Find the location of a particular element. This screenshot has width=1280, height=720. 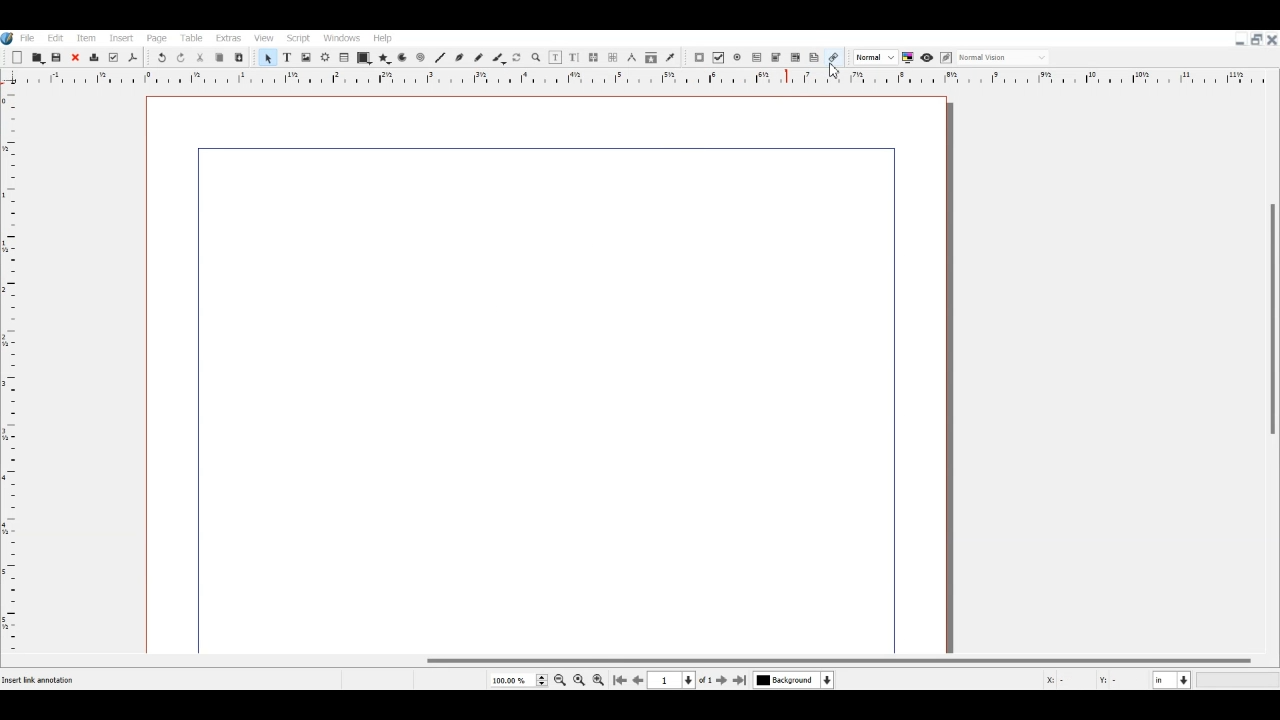

Shape is located at coordinates (364, 58).